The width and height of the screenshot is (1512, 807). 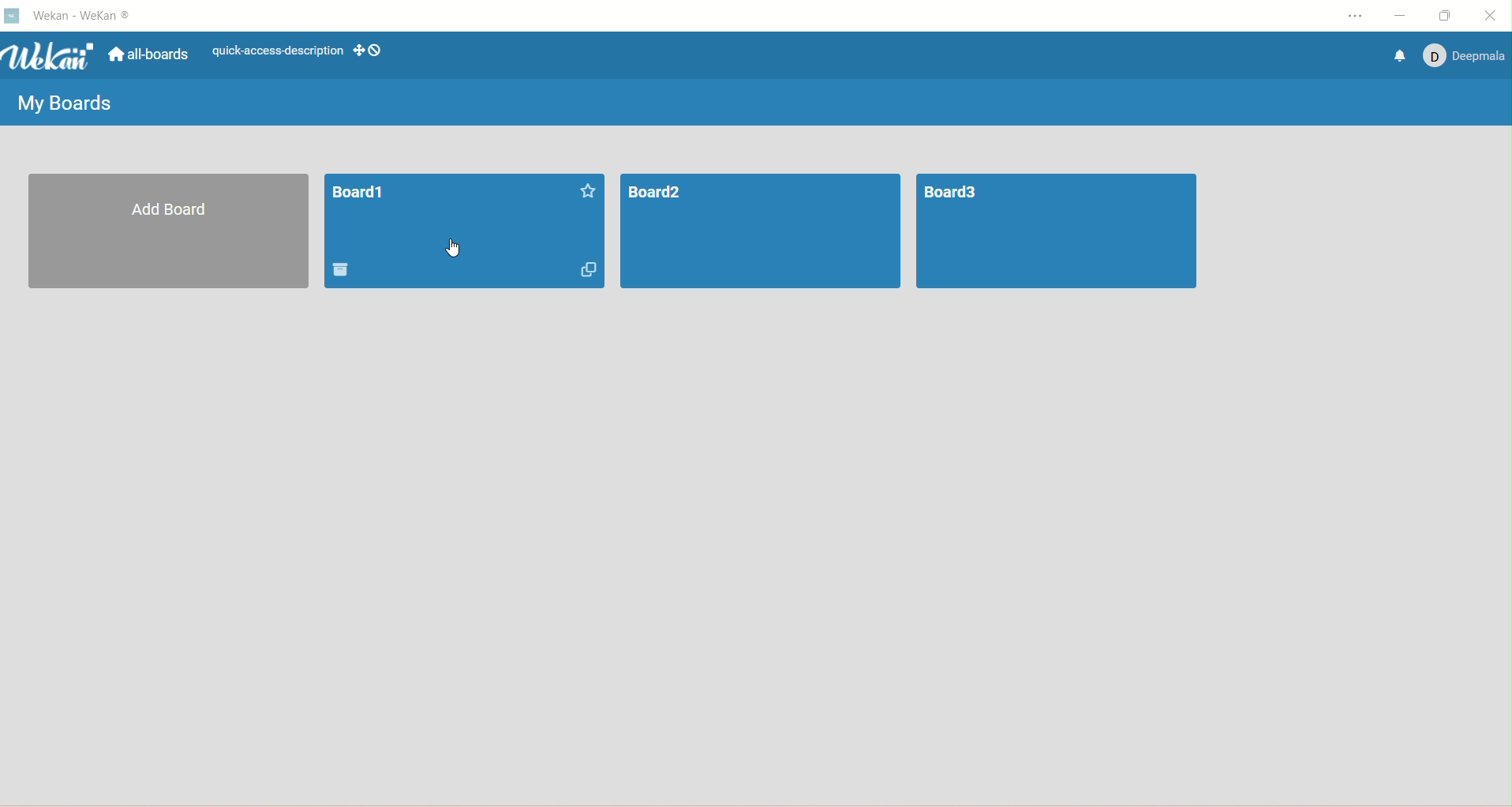 What do you see at coordinates (760, 231) in the screenshot?
I see `board2` at bounding box center [760, 231].